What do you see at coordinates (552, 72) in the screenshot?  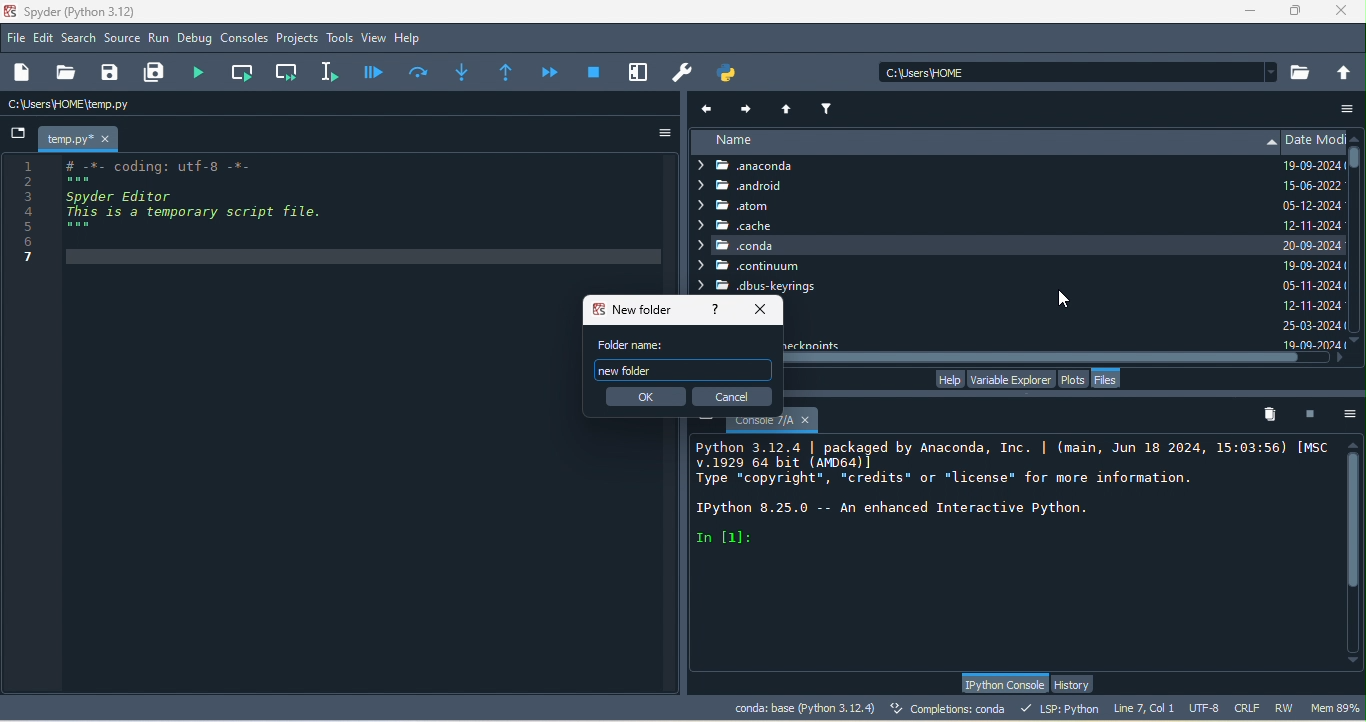 I see `continue execution` at bounding box center [552, 72].